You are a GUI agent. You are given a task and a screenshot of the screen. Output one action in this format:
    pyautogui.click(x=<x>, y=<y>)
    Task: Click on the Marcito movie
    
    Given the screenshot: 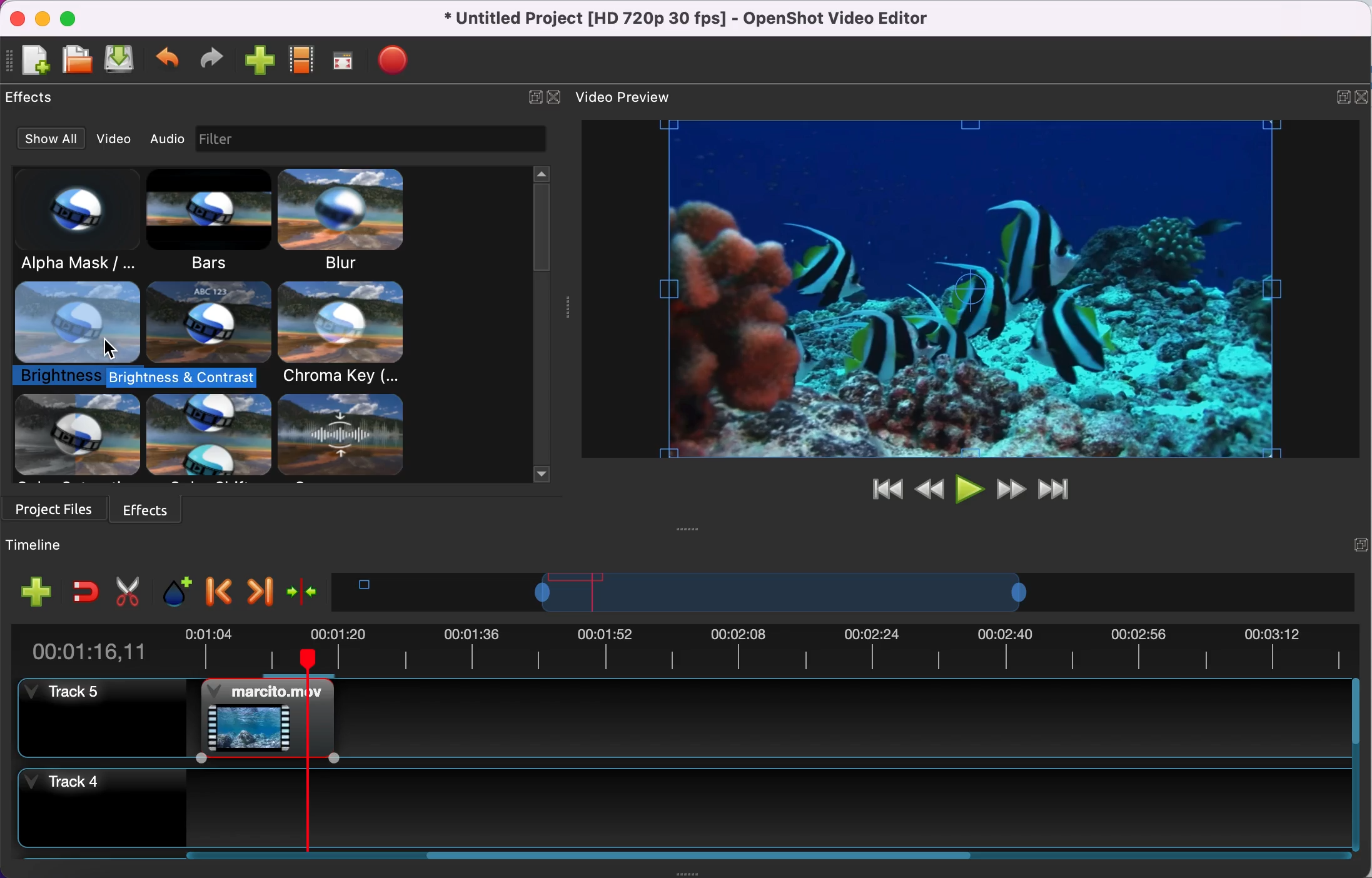 What is the action you would take?
    pyautogui.click(x=266, y=719)
    